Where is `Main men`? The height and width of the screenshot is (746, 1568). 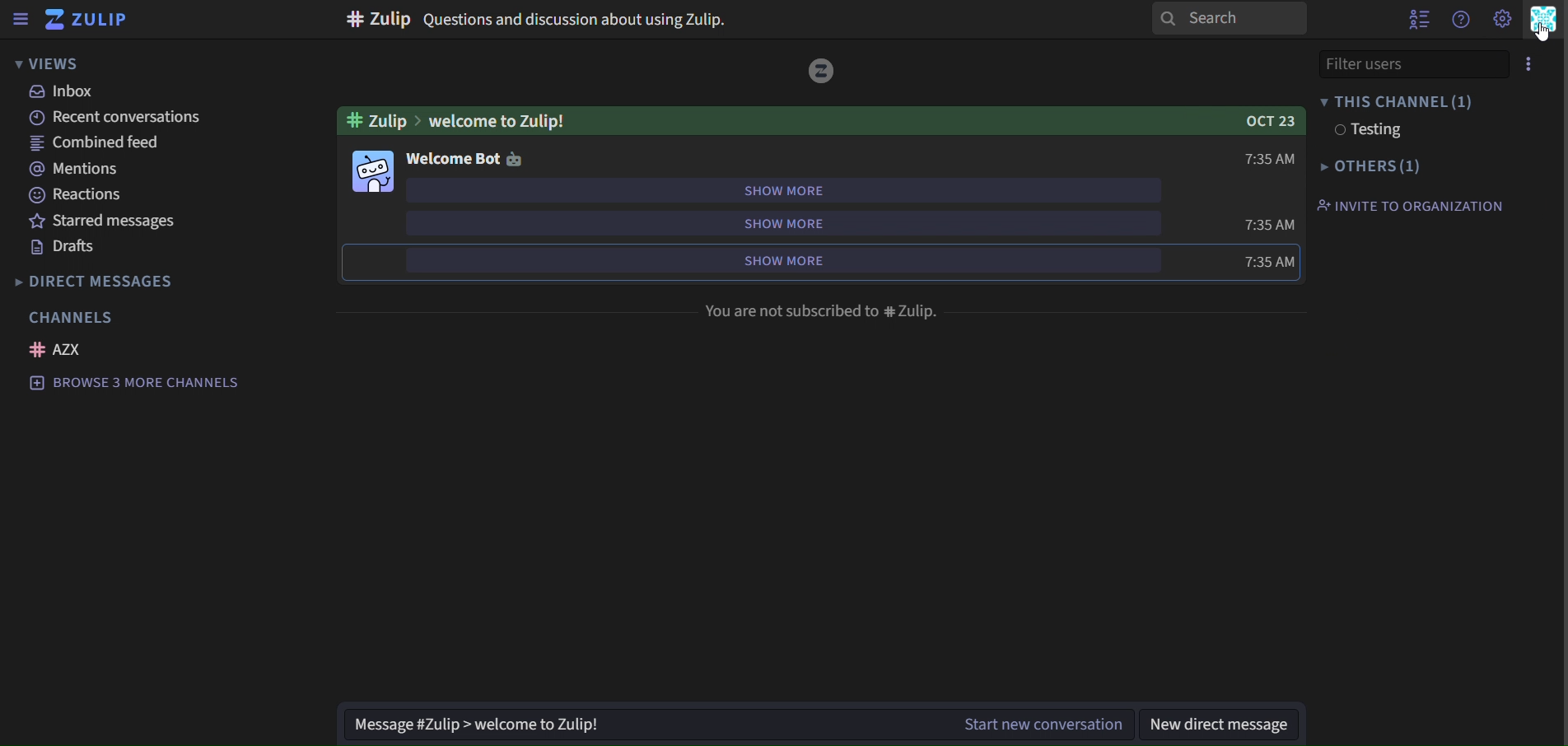
Main men is located at coordinates (1543, 25).